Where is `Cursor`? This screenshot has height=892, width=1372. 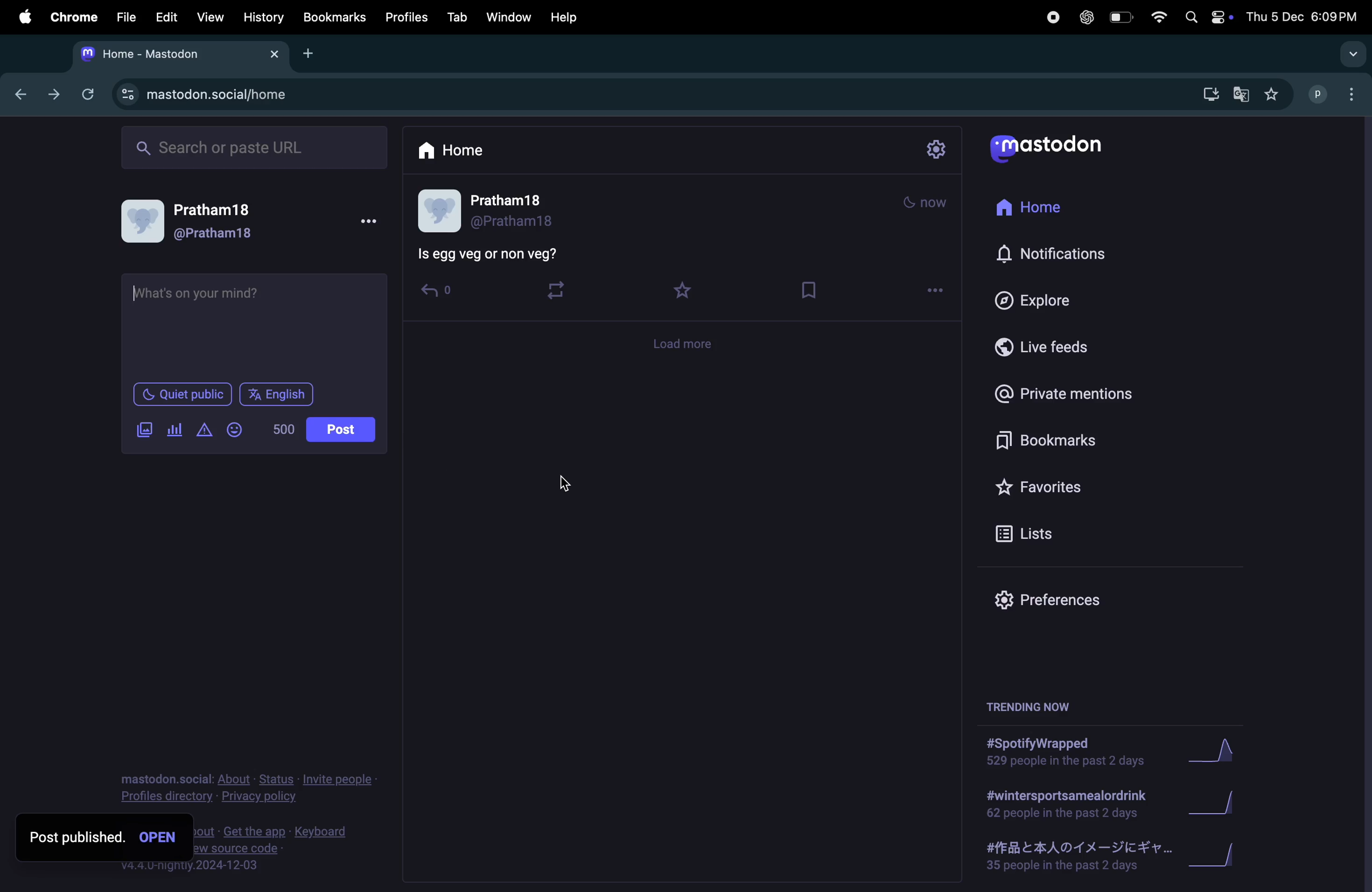
Cursor is located at coordinates (565, 486).